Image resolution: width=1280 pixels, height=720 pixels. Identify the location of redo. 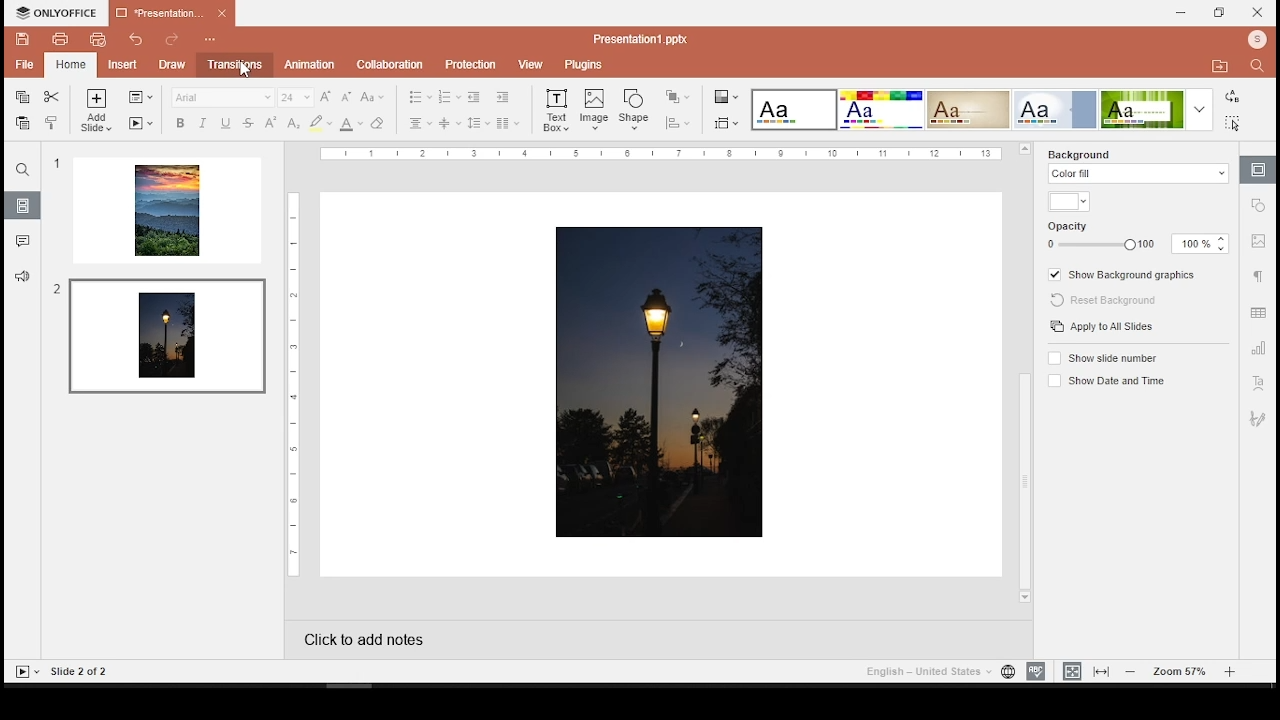
(170, 37).